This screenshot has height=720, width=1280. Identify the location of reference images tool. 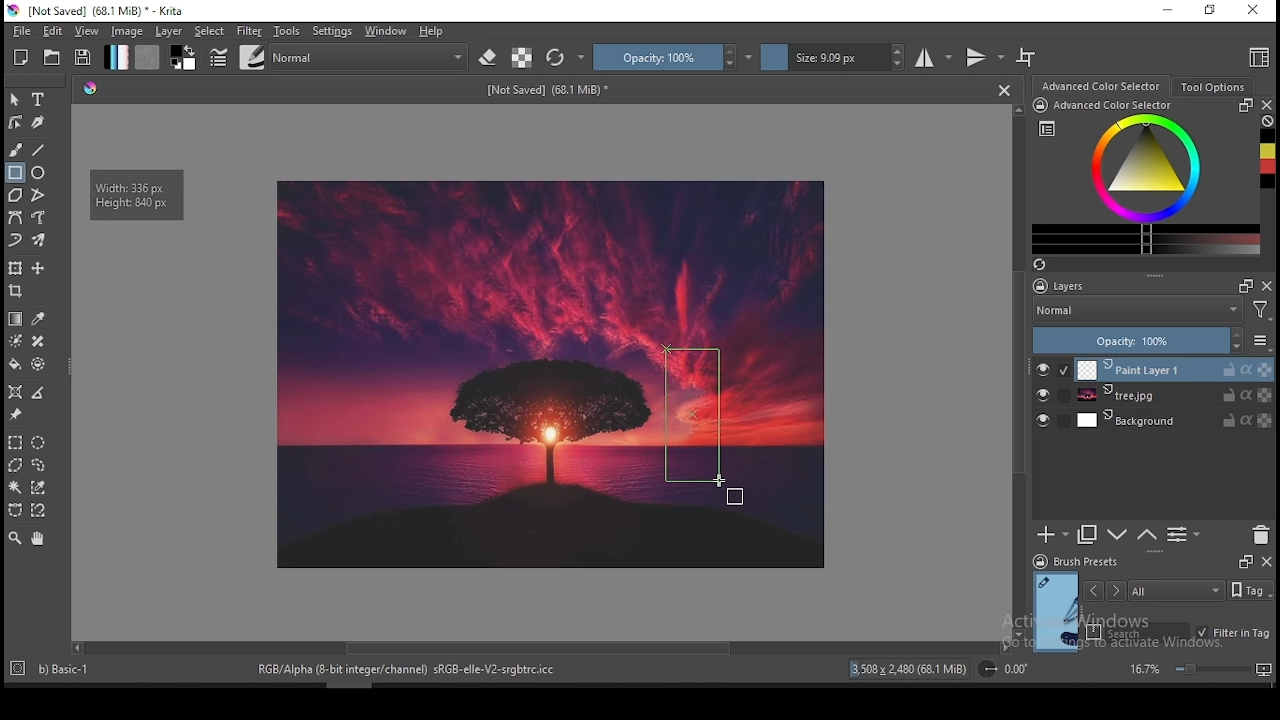
(16, 415).